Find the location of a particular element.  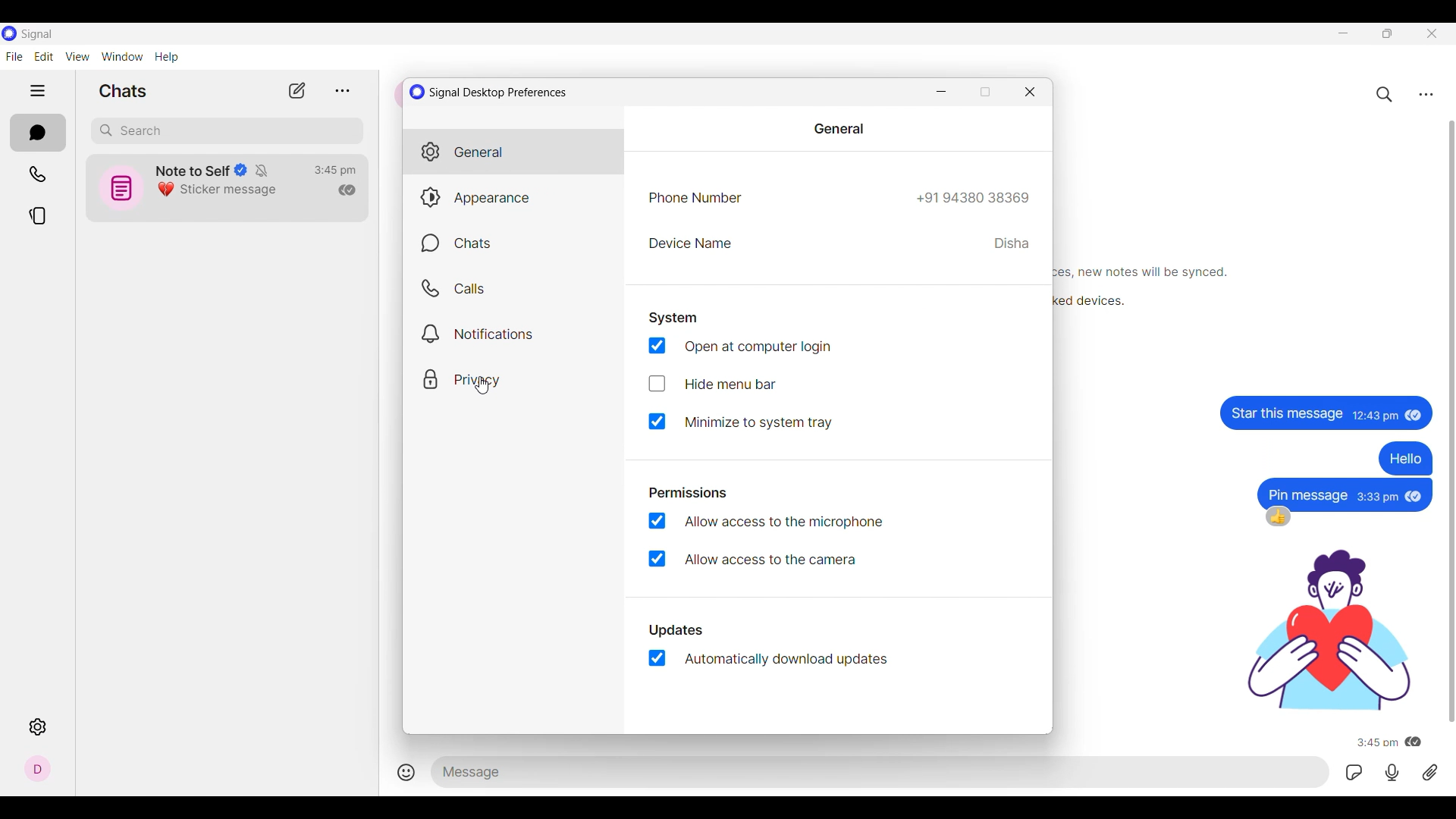

Attachment  is located at coordinates (1431, 772).